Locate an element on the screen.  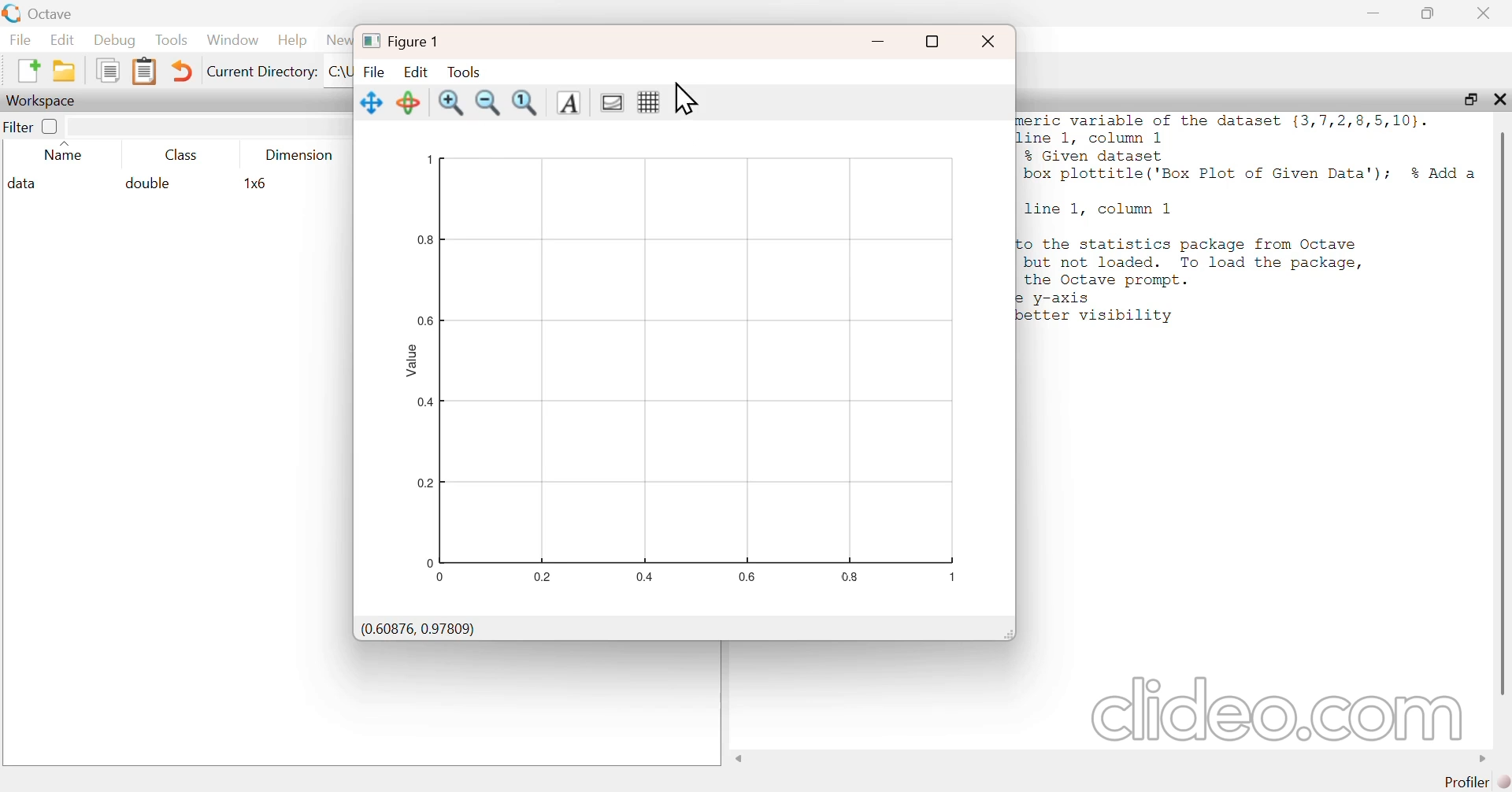
maximize is located at coordinates (935, 39).